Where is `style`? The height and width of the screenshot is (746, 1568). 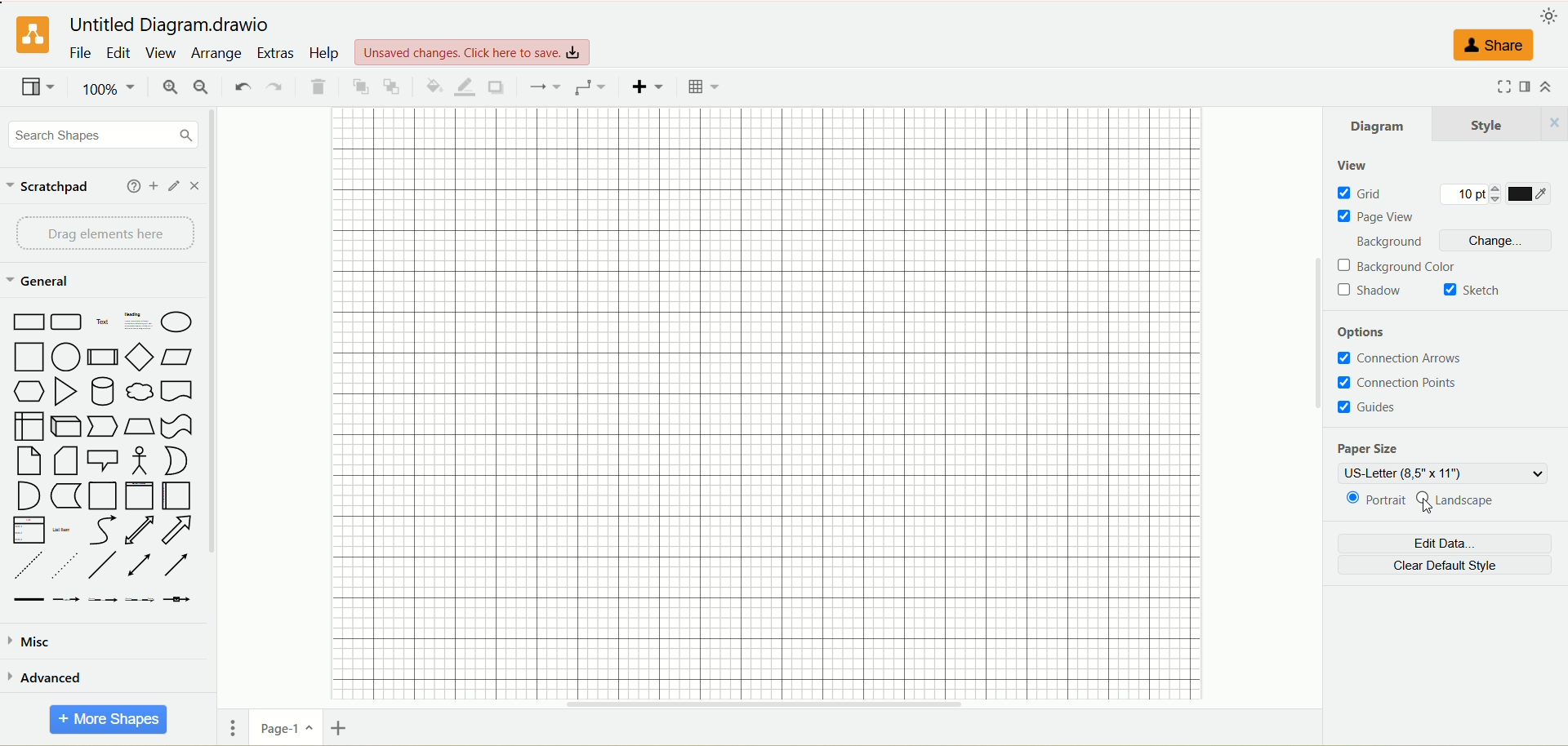
style is located at coordinates (1500, 124).